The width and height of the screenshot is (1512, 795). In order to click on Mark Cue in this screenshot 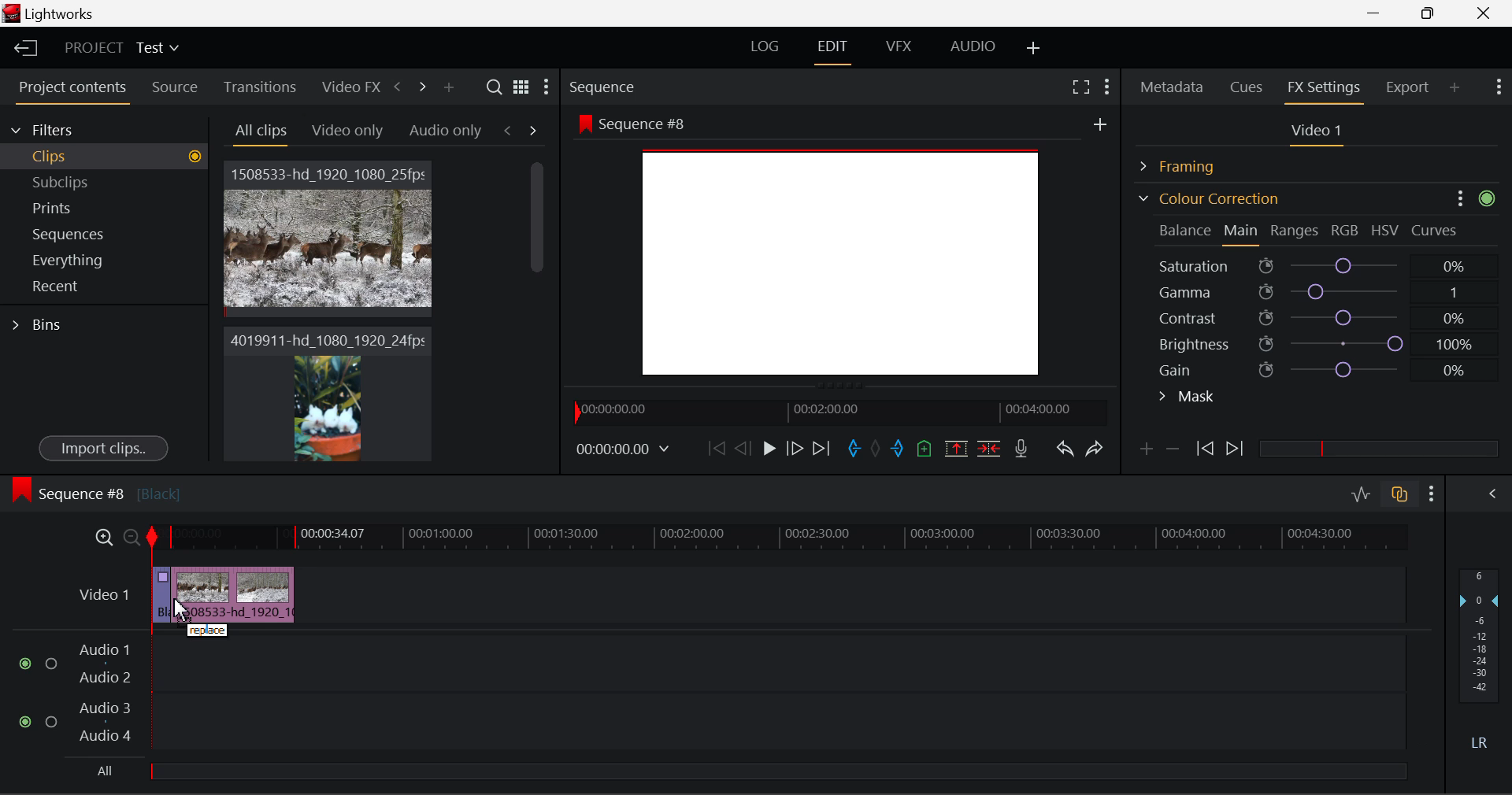, I will do `click(923, 449)`.